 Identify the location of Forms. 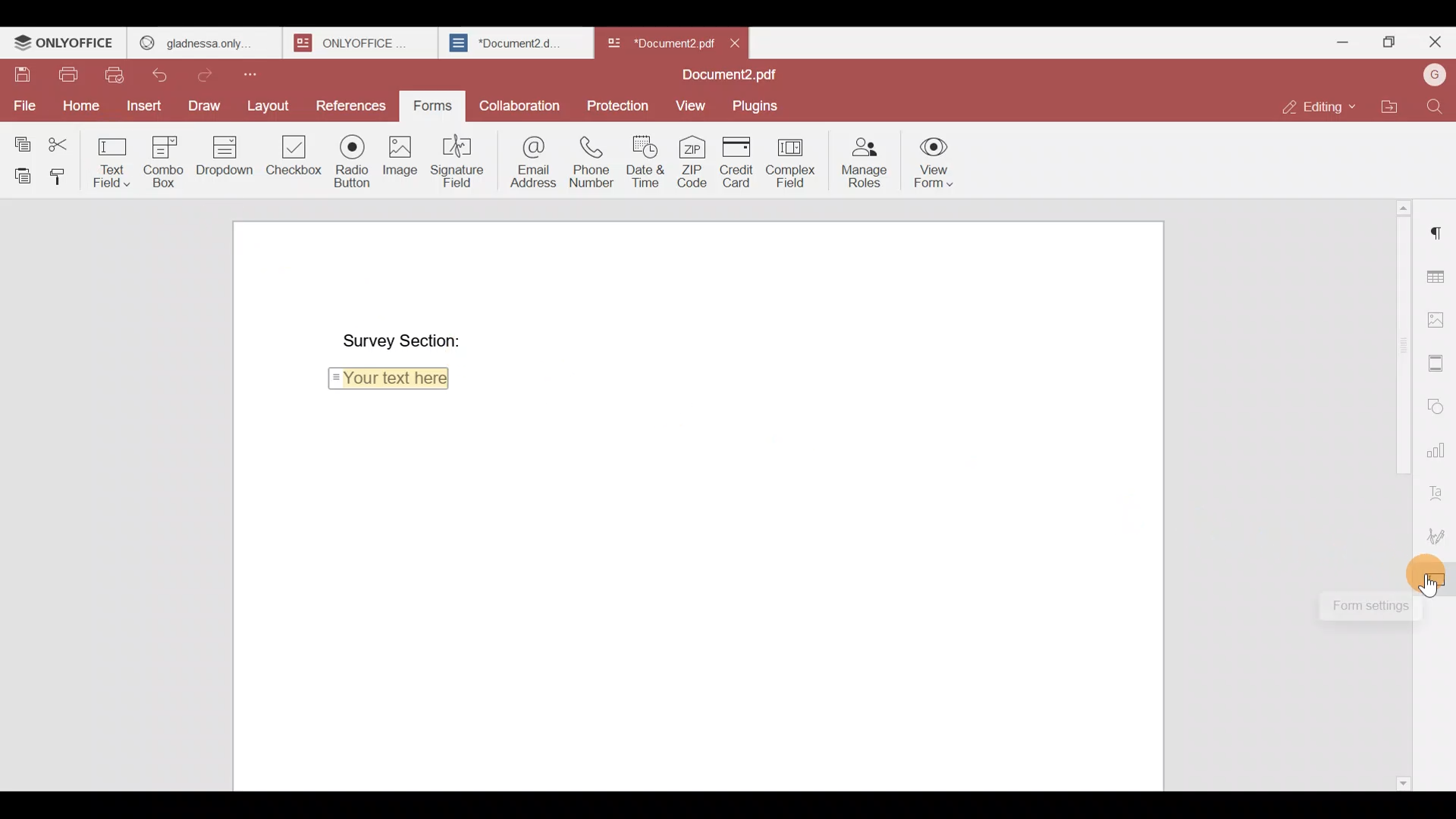
(427, 106).